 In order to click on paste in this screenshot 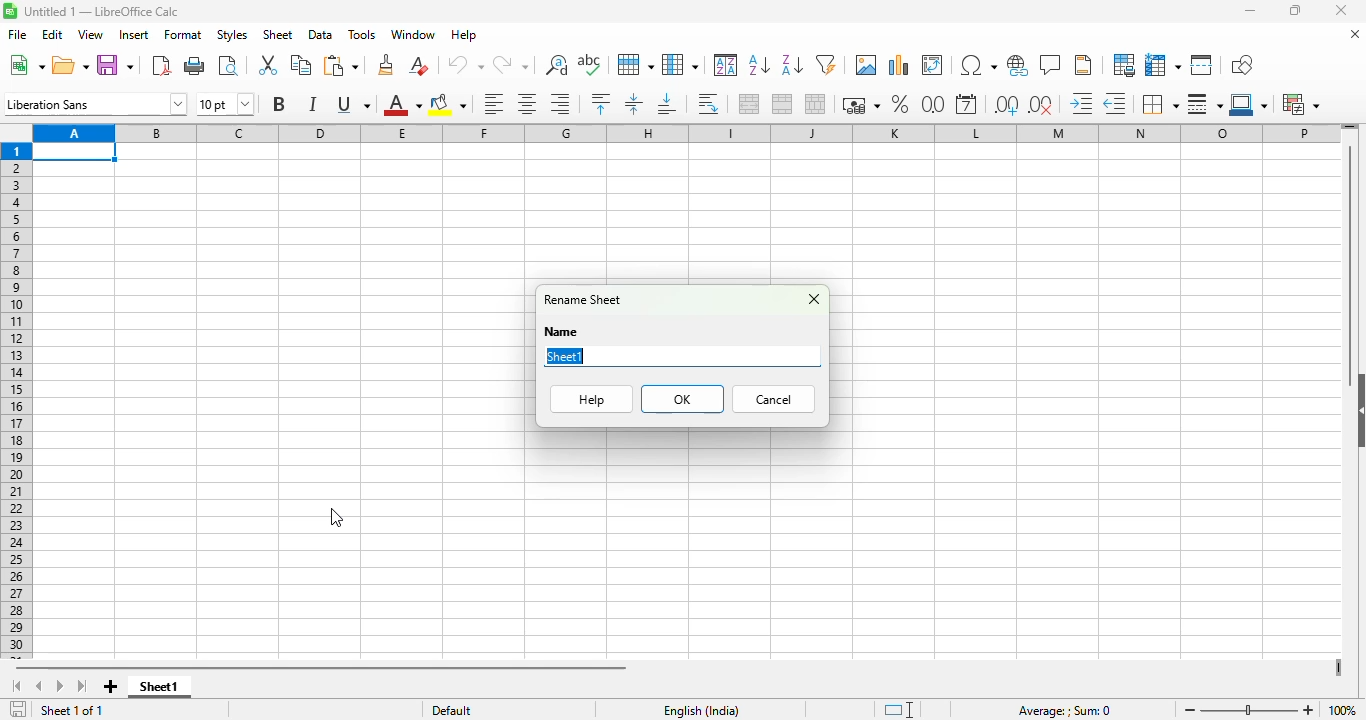, I will do `click(341, 65)`.